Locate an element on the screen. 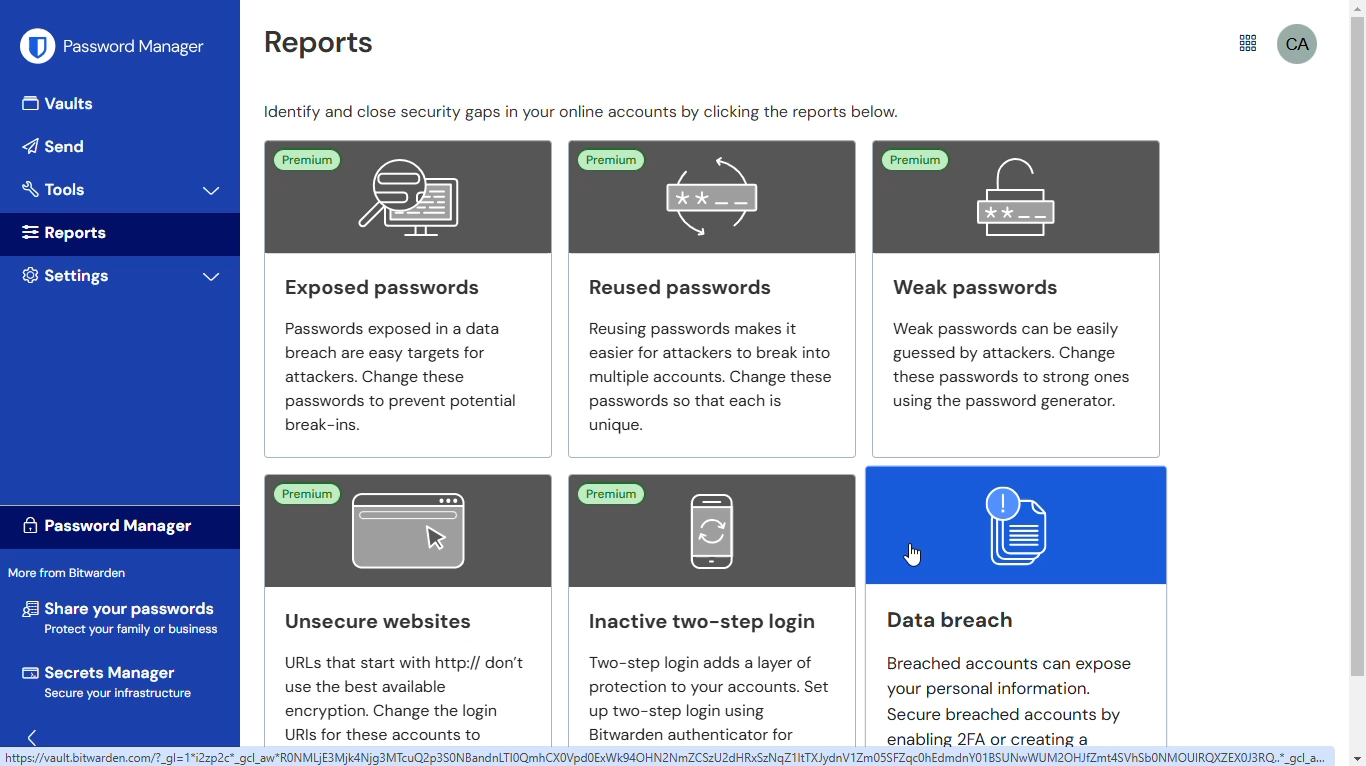 Image resolution: width=1366 pixels, height=766 pixels. tools is located at coordinates (55, 188).